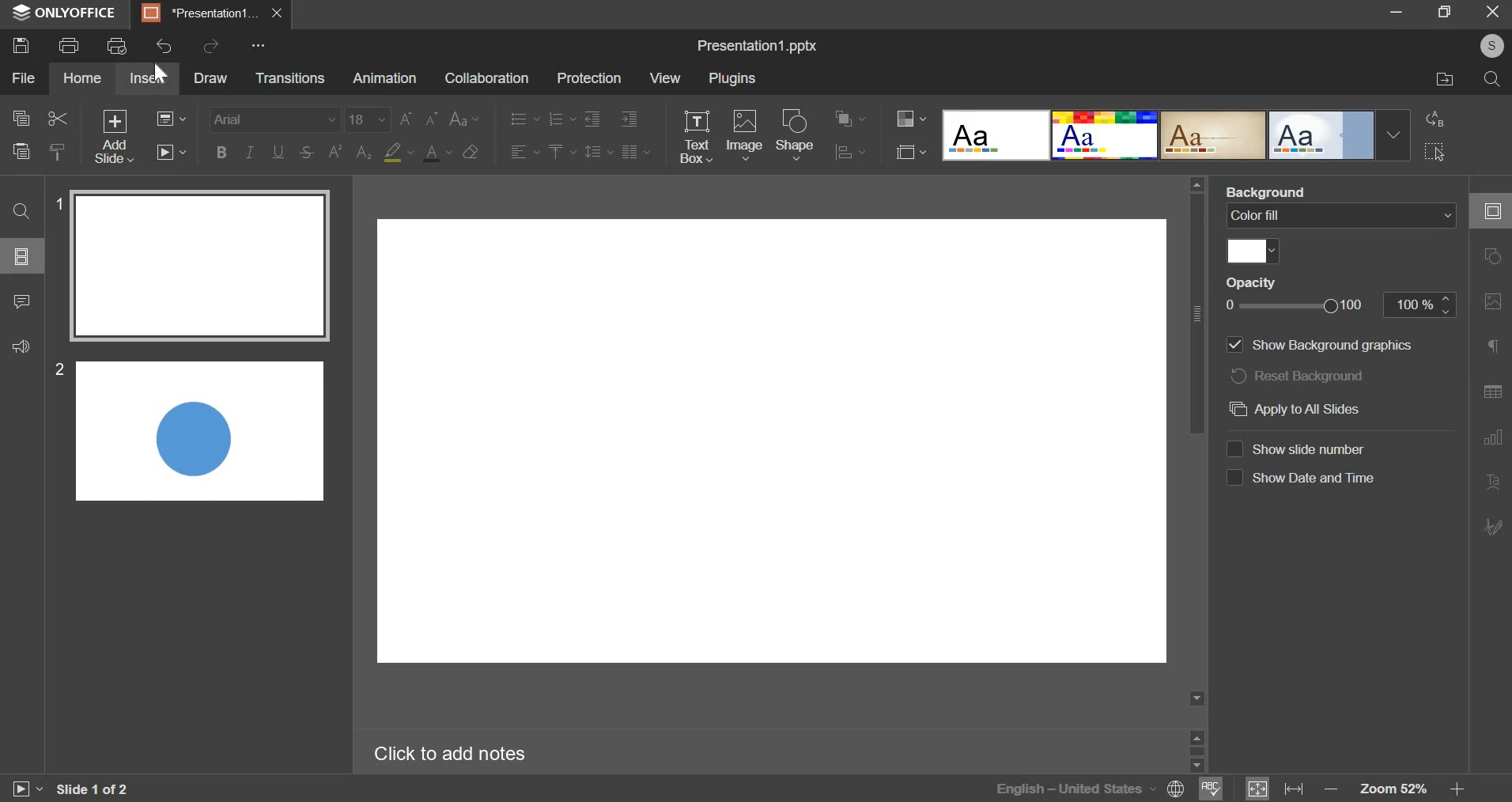 The image size is (1512, 802). What do you see at coordinates (363, 154) in the screenshot?
I see `subscript` at bounding box center [363, 154].